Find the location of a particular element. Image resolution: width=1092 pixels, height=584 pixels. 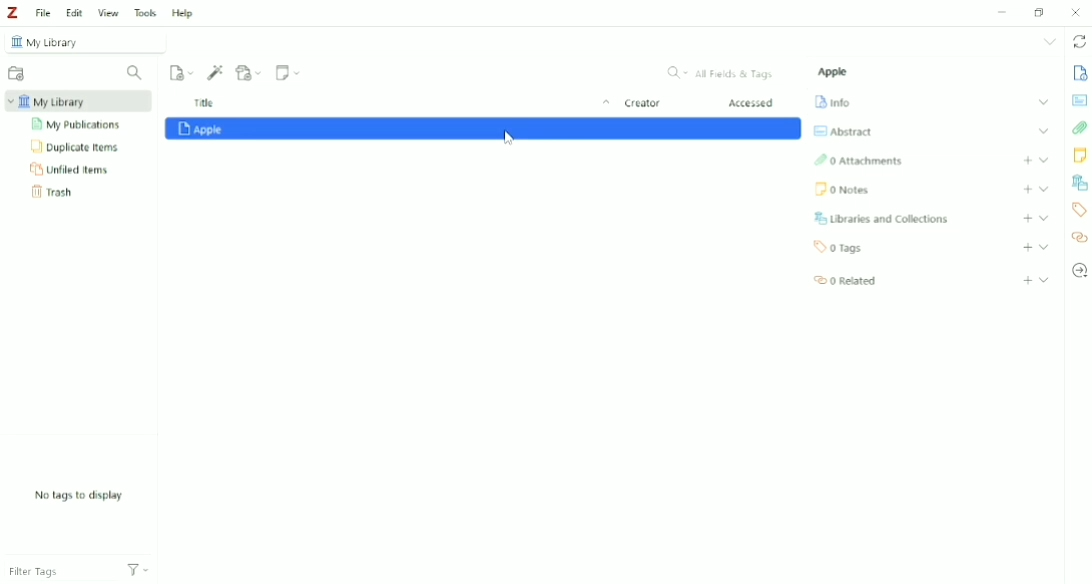

Filter Tags is located at coordinates (59, 573).